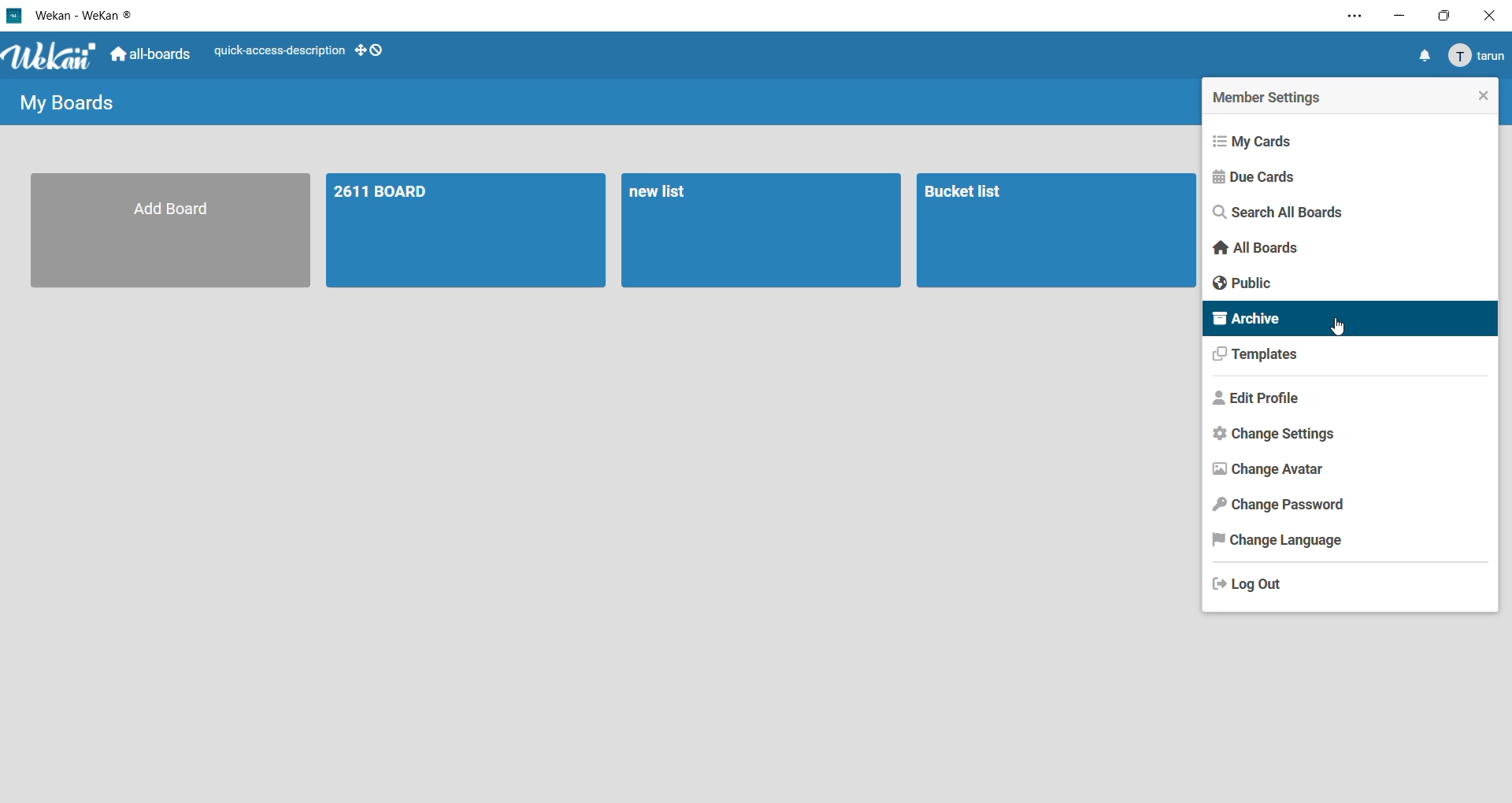 This screenshot has width=1512, height=803. What do you see at coordinates (1251, 320) in the screenshot?
I see `archive` at bounding box center [1251, 320].